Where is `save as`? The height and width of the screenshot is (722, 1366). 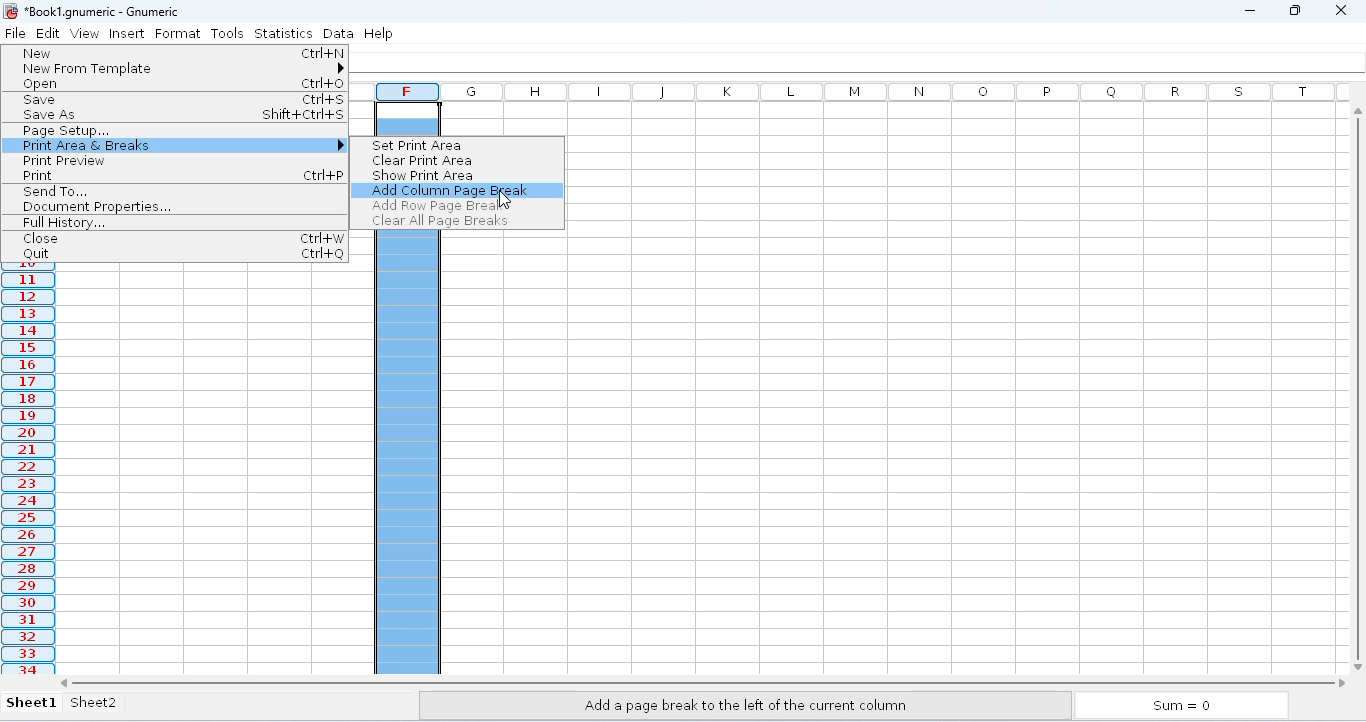 save as is located at coordinates (51, 116).